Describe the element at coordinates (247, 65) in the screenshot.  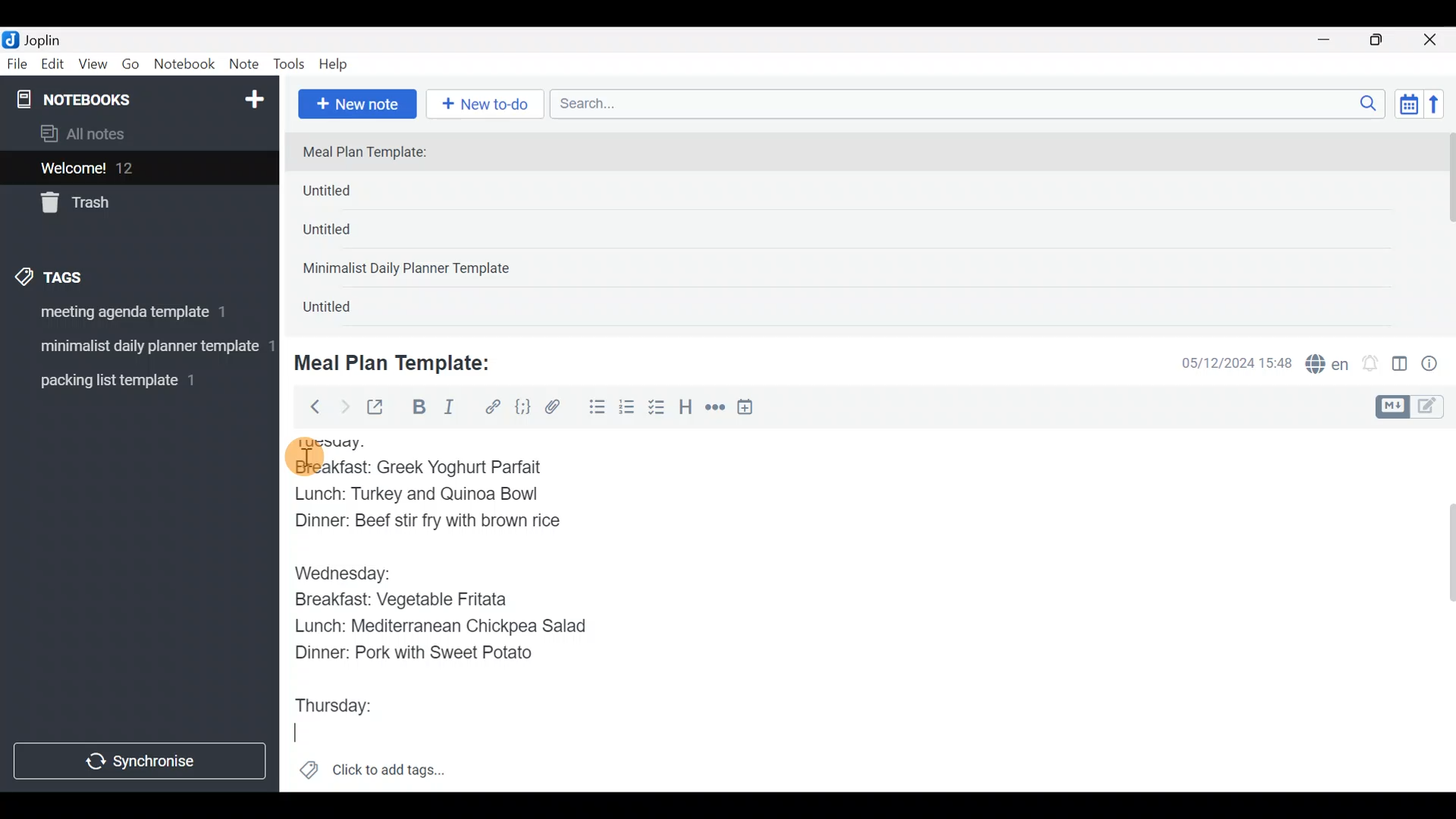
I see `Note` at that location.